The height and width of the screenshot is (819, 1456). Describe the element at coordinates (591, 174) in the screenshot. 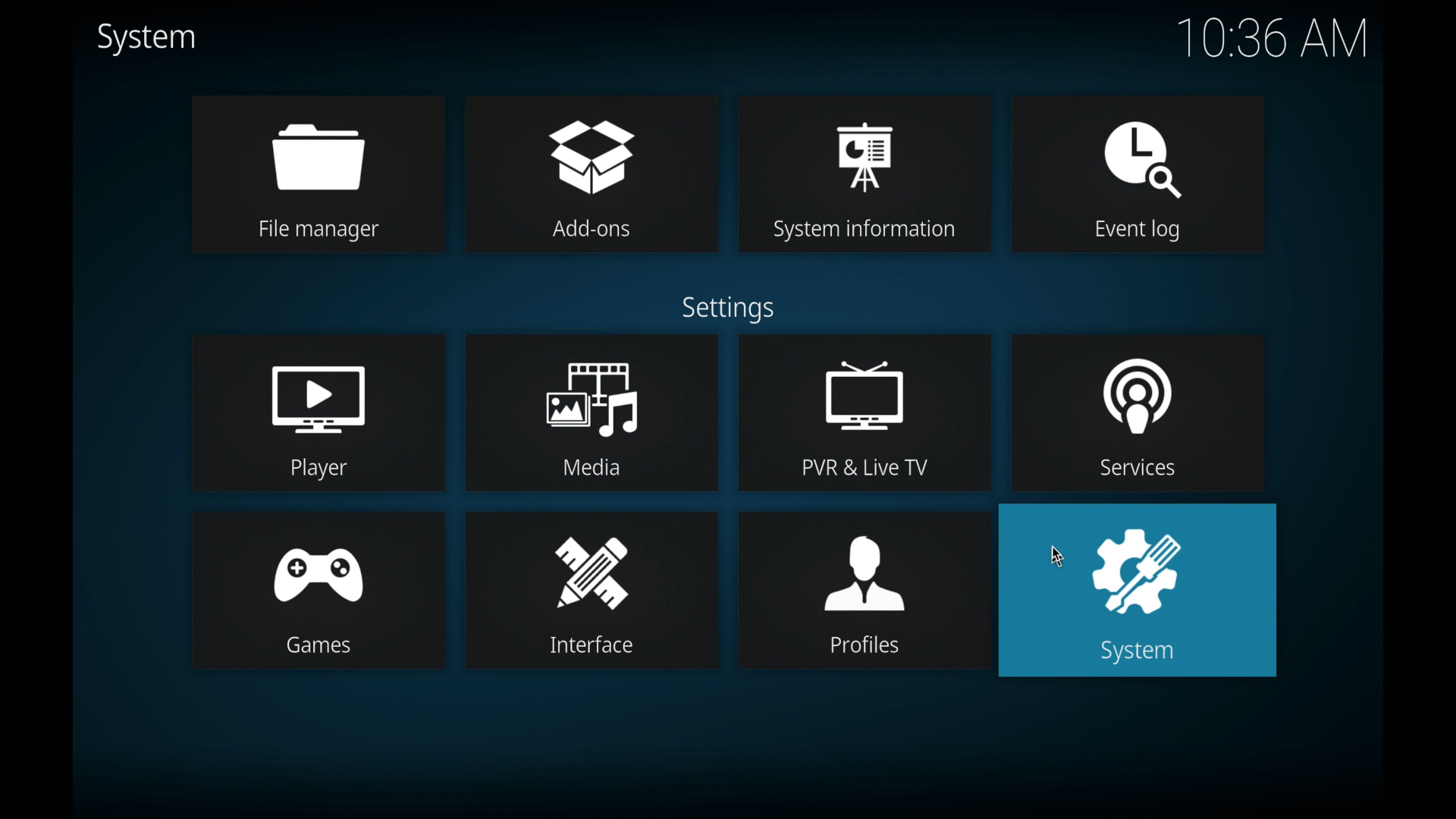

I see `add-ons` at that location.